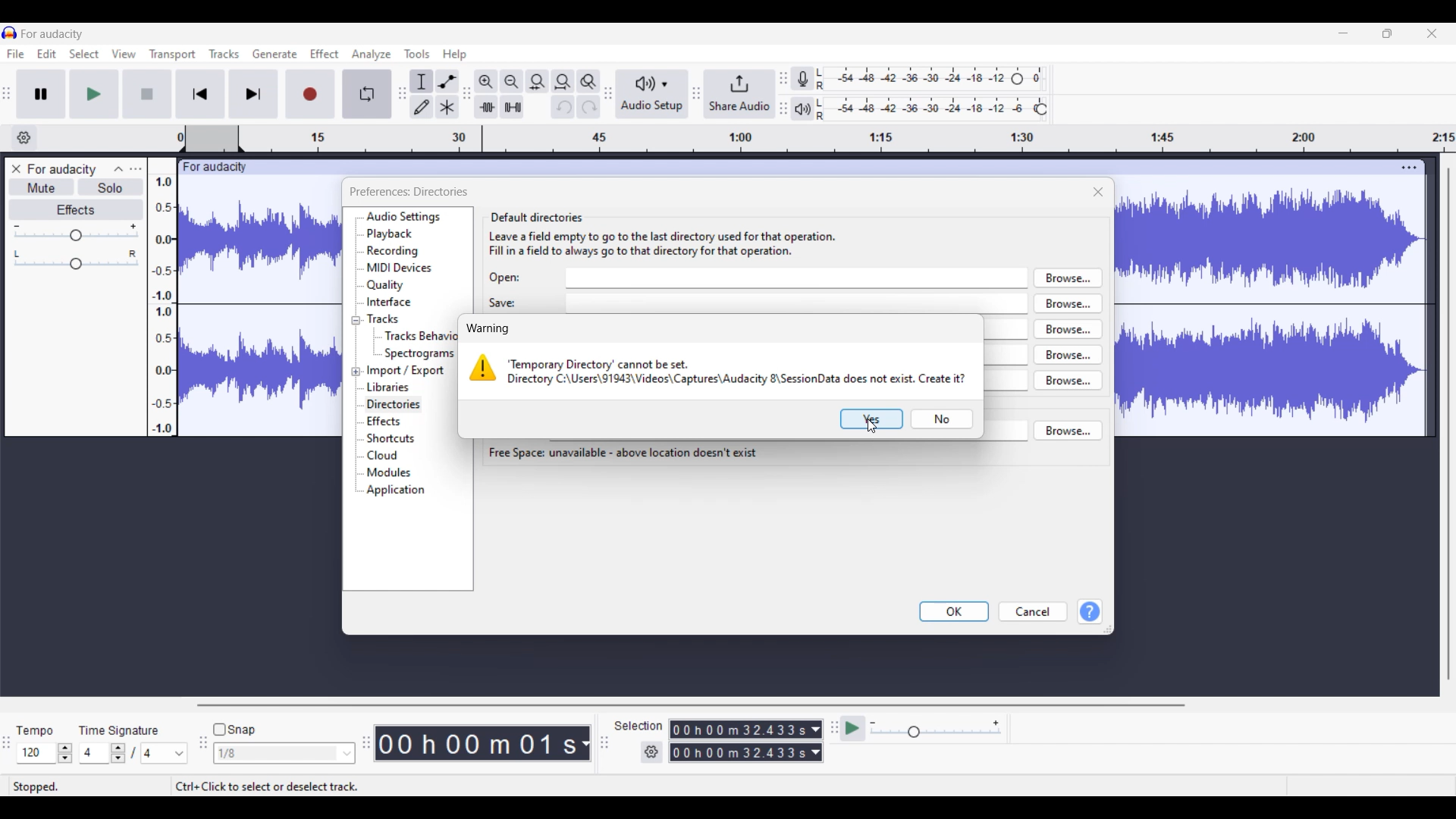 The width and height of the screenshot is (1456, 819). I want to click on Cursor, so click(872, 426).